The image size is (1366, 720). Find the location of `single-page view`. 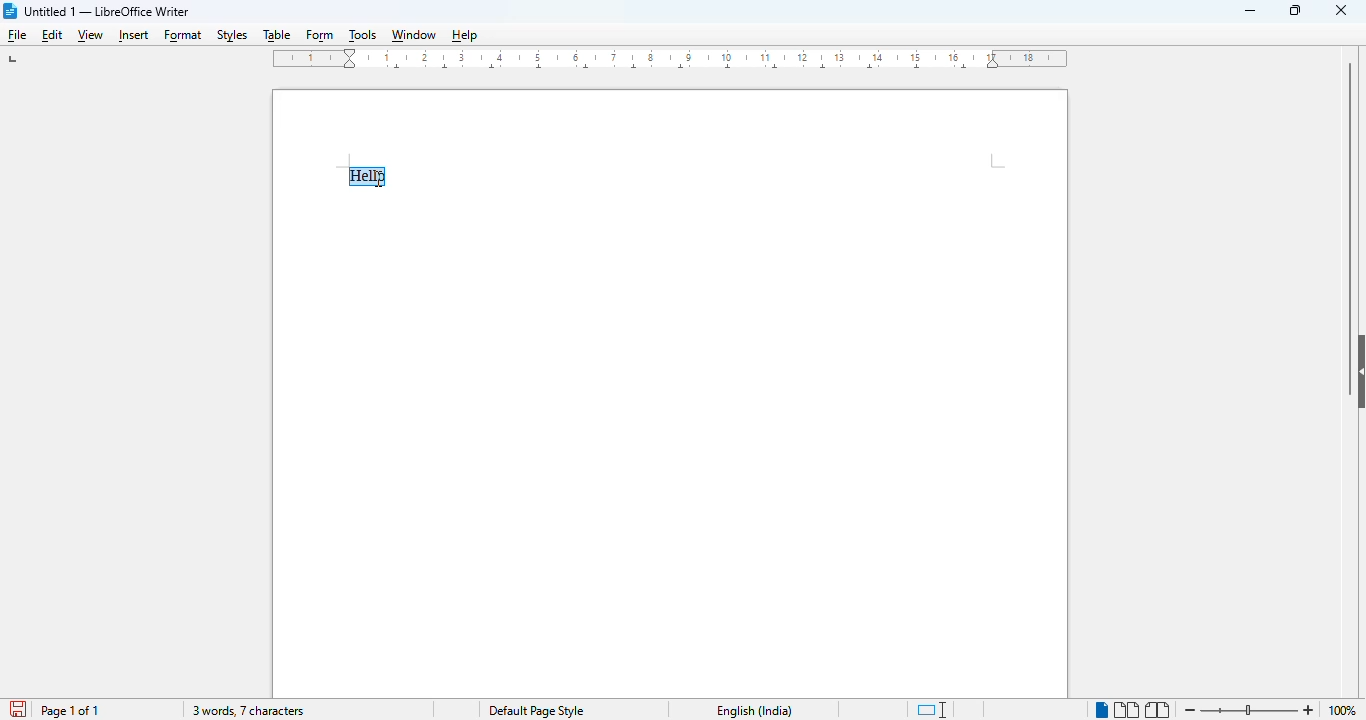

single-page view is located at coordinates (1101, 711).